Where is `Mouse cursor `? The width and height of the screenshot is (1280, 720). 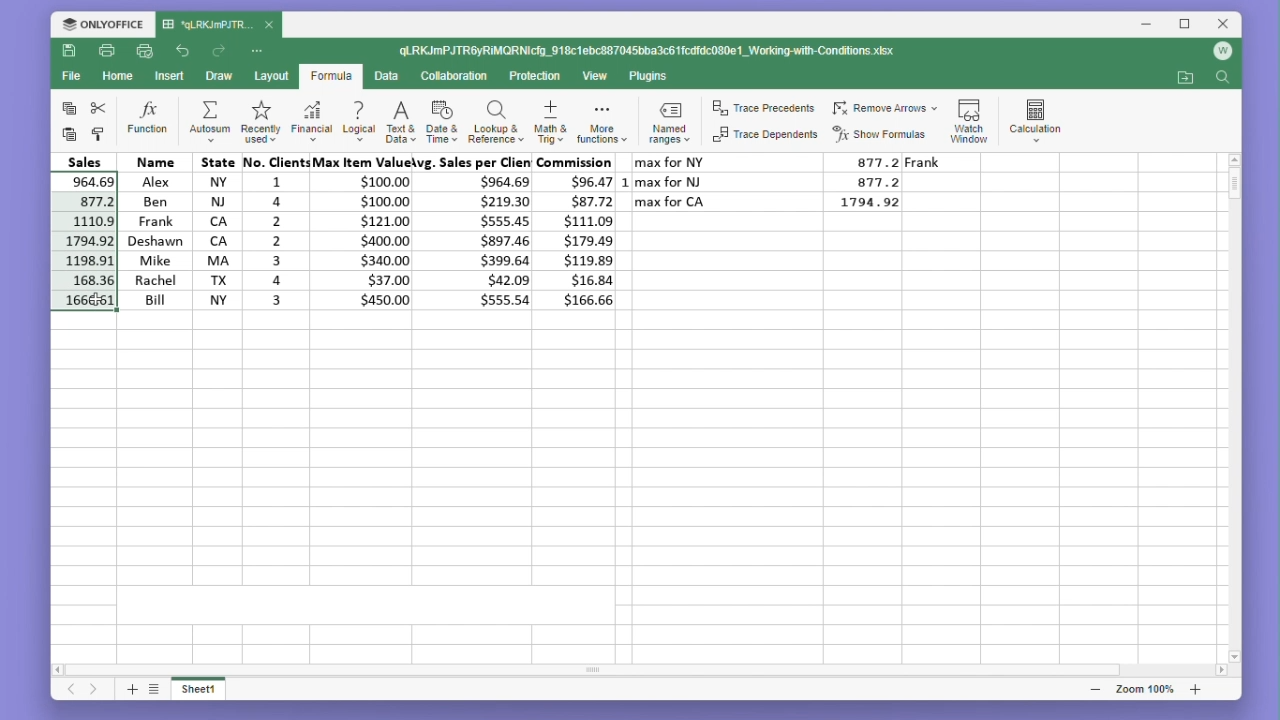
Mouse cursor  is located at coordinates (94, 301).